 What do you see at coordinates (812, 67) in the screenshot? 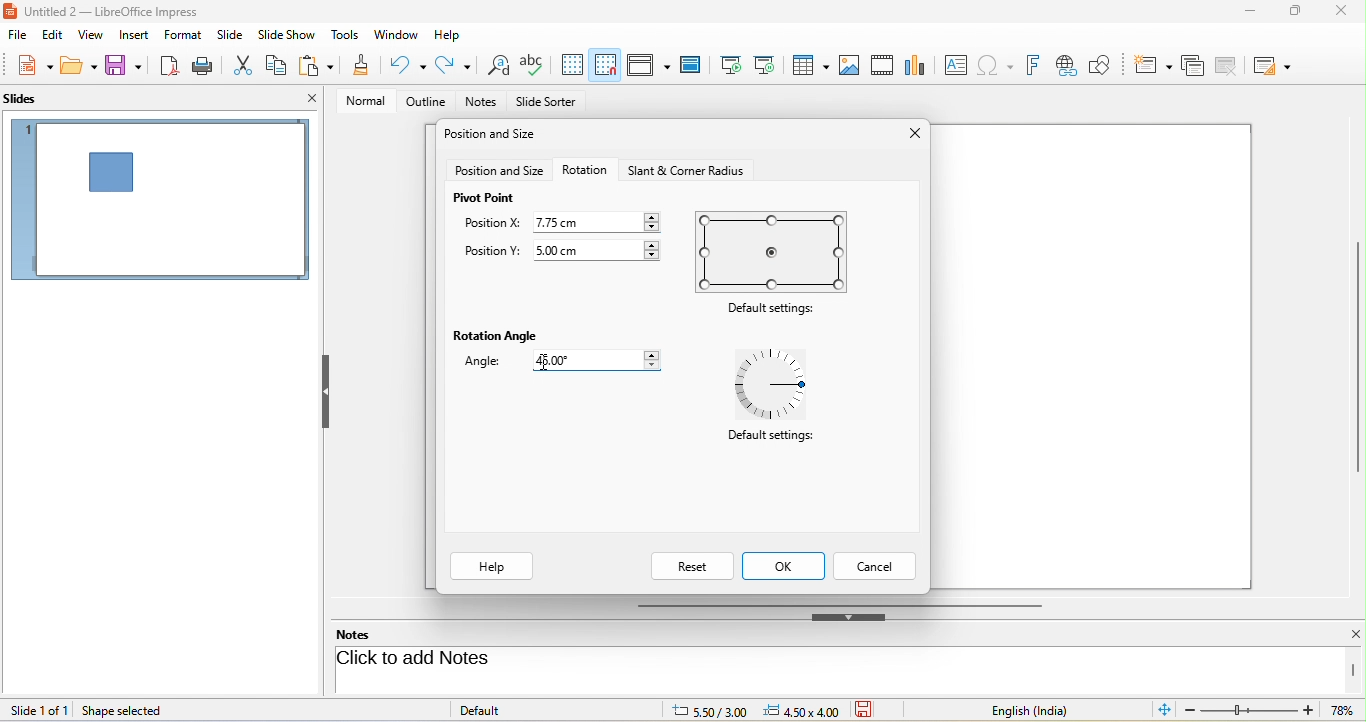
I see `table` at bounding box center [812, 67].